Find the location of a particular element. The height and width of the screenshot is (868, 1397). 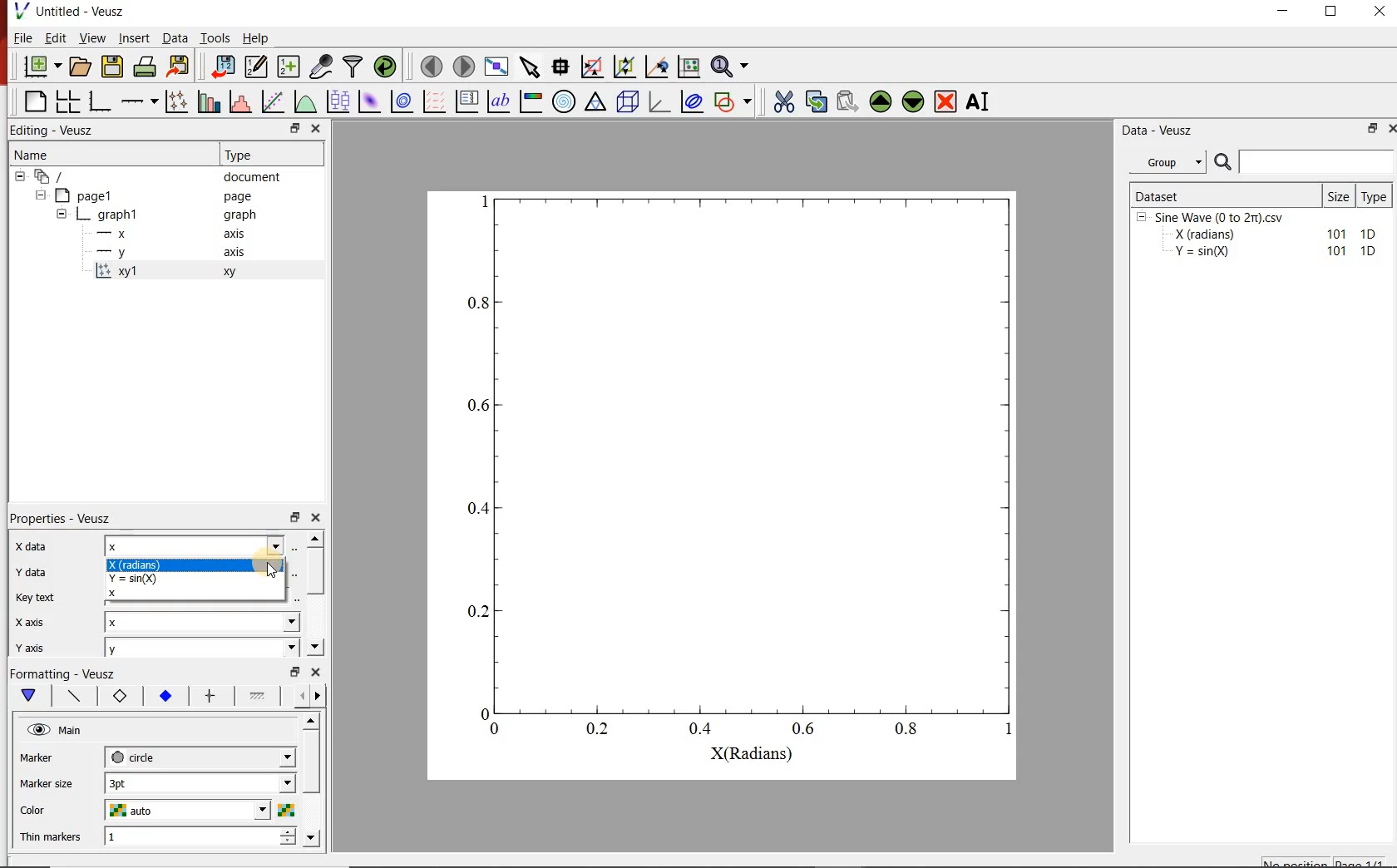

Polar graph is located at coordinates (565, 101).